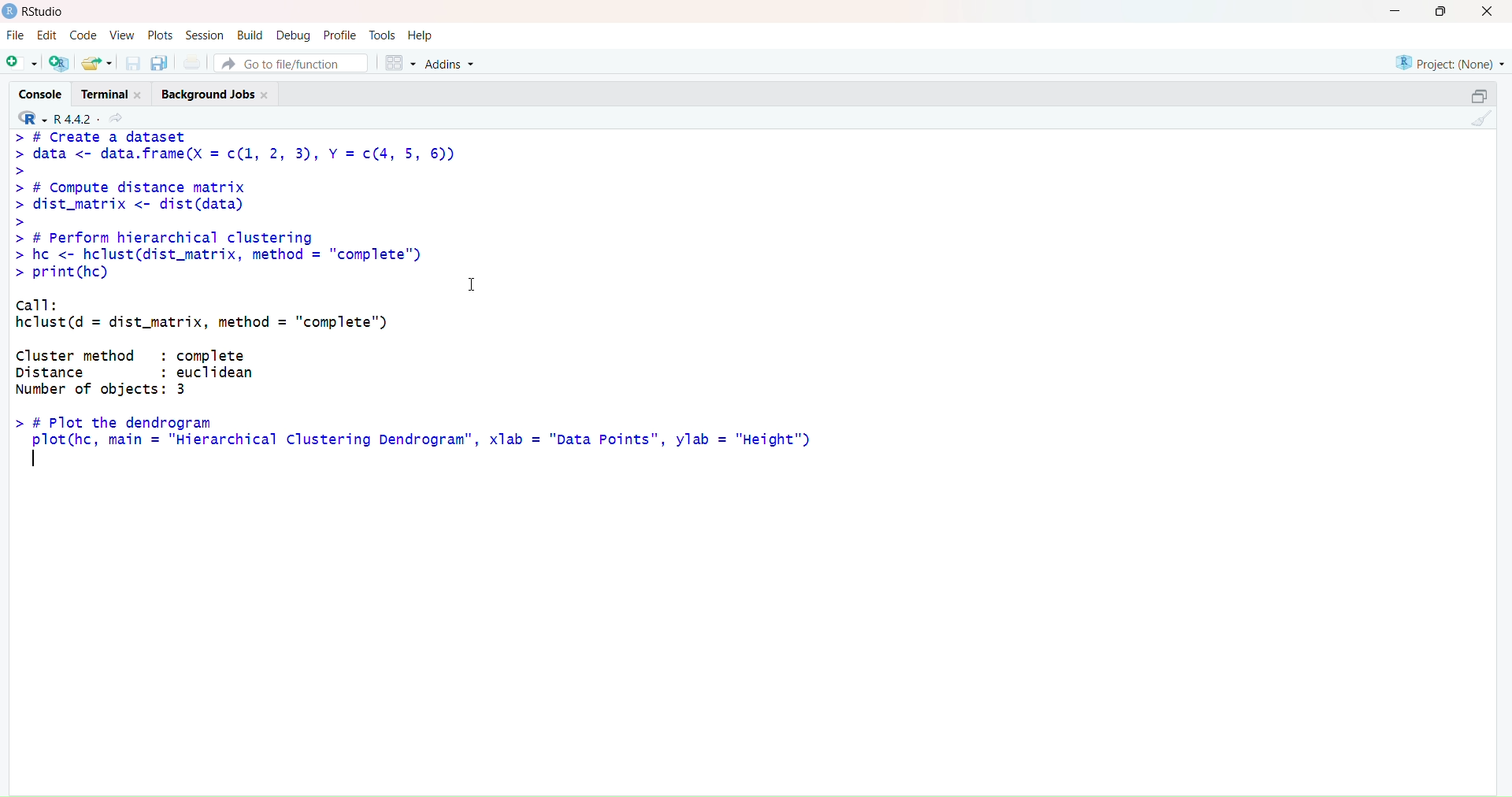 The image size is (1512, 797). What do you see at coordinates (160, 35) in the screenshot?
I see `Plots` at bounding box center [160, 35].